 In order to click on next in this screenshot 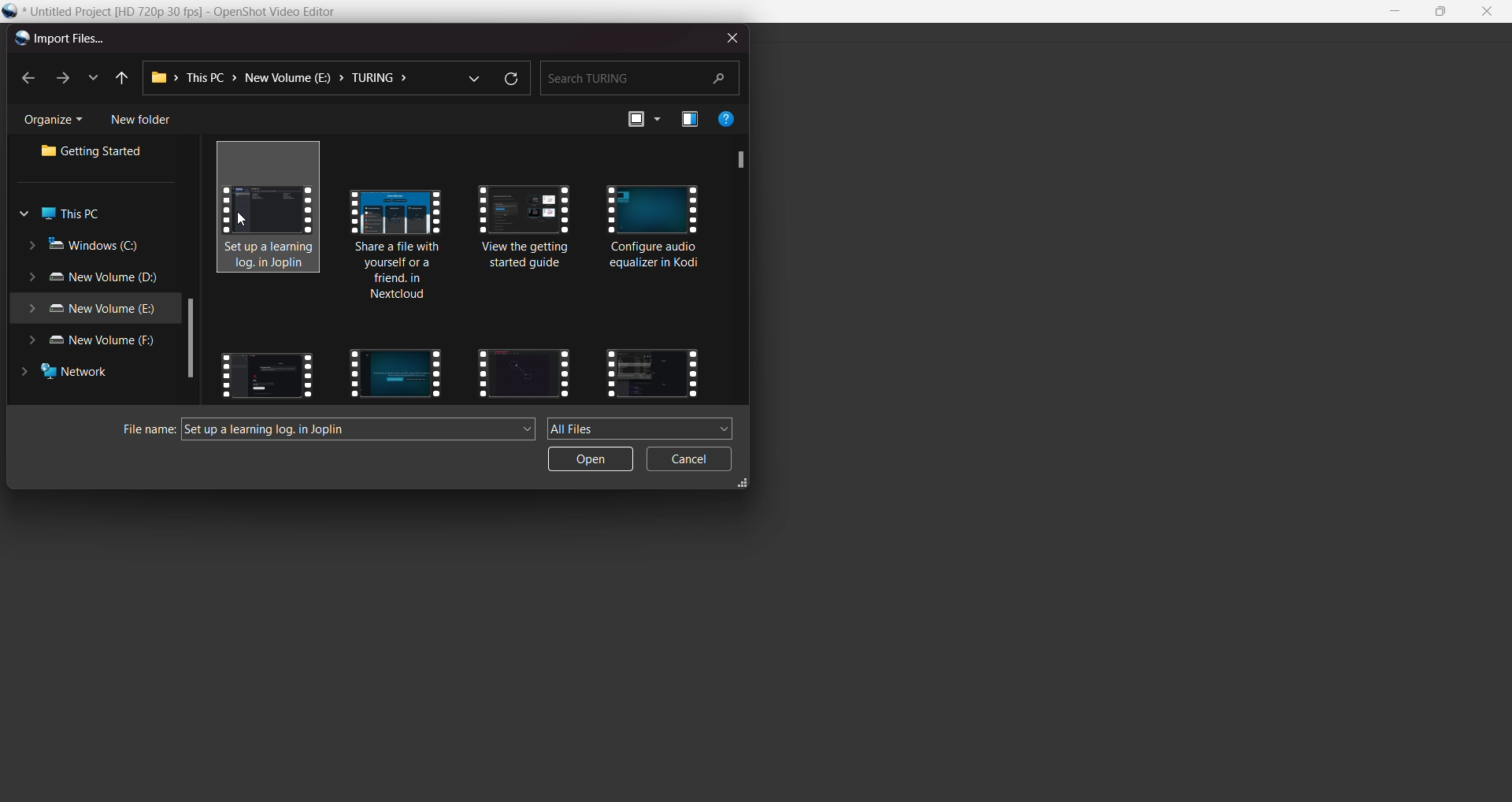, I will do `click(61, 78)`.